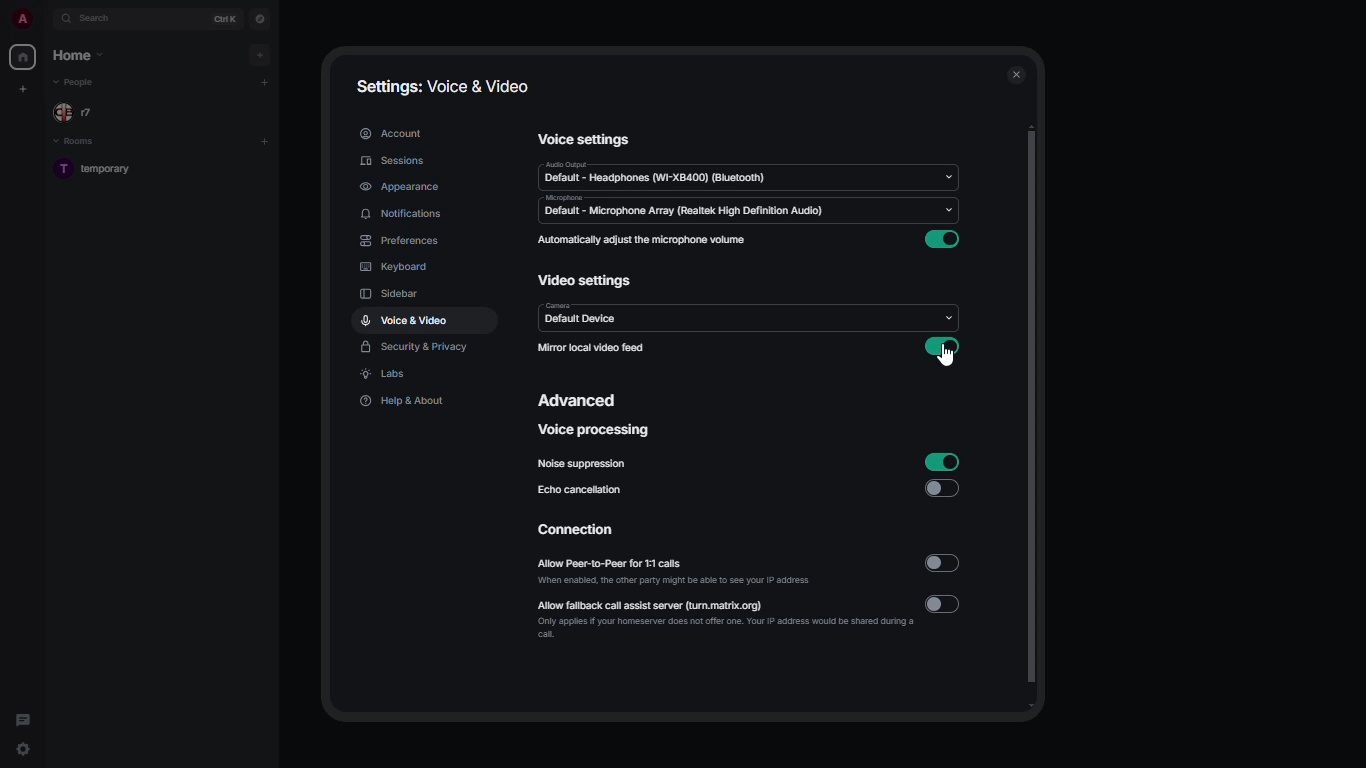 The image size is (1366, 768). I want to click on advanced, so click(582, 399).